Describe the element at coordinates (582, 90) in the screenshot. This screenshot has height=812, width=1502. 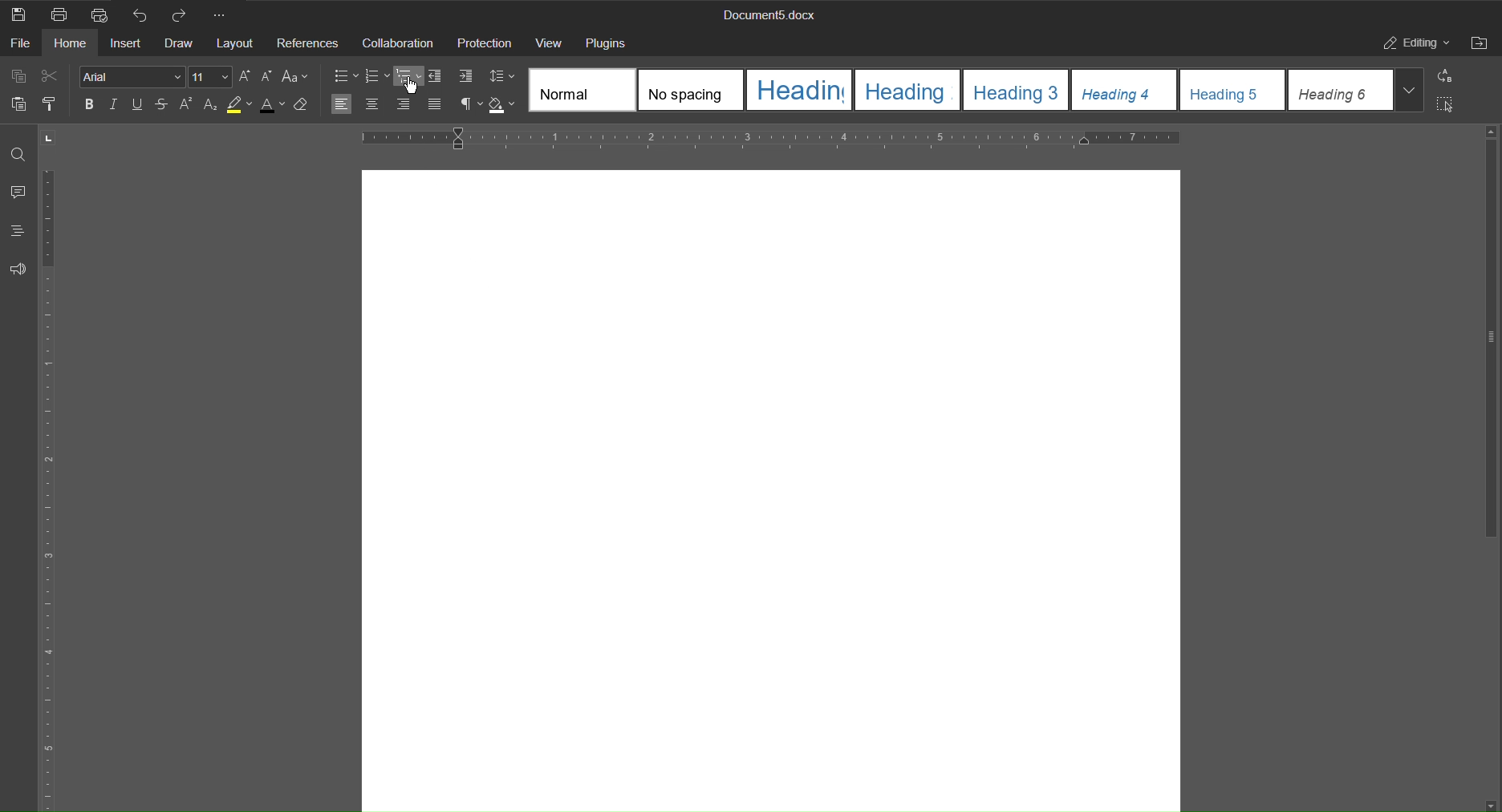
I see `Normal` at that location.